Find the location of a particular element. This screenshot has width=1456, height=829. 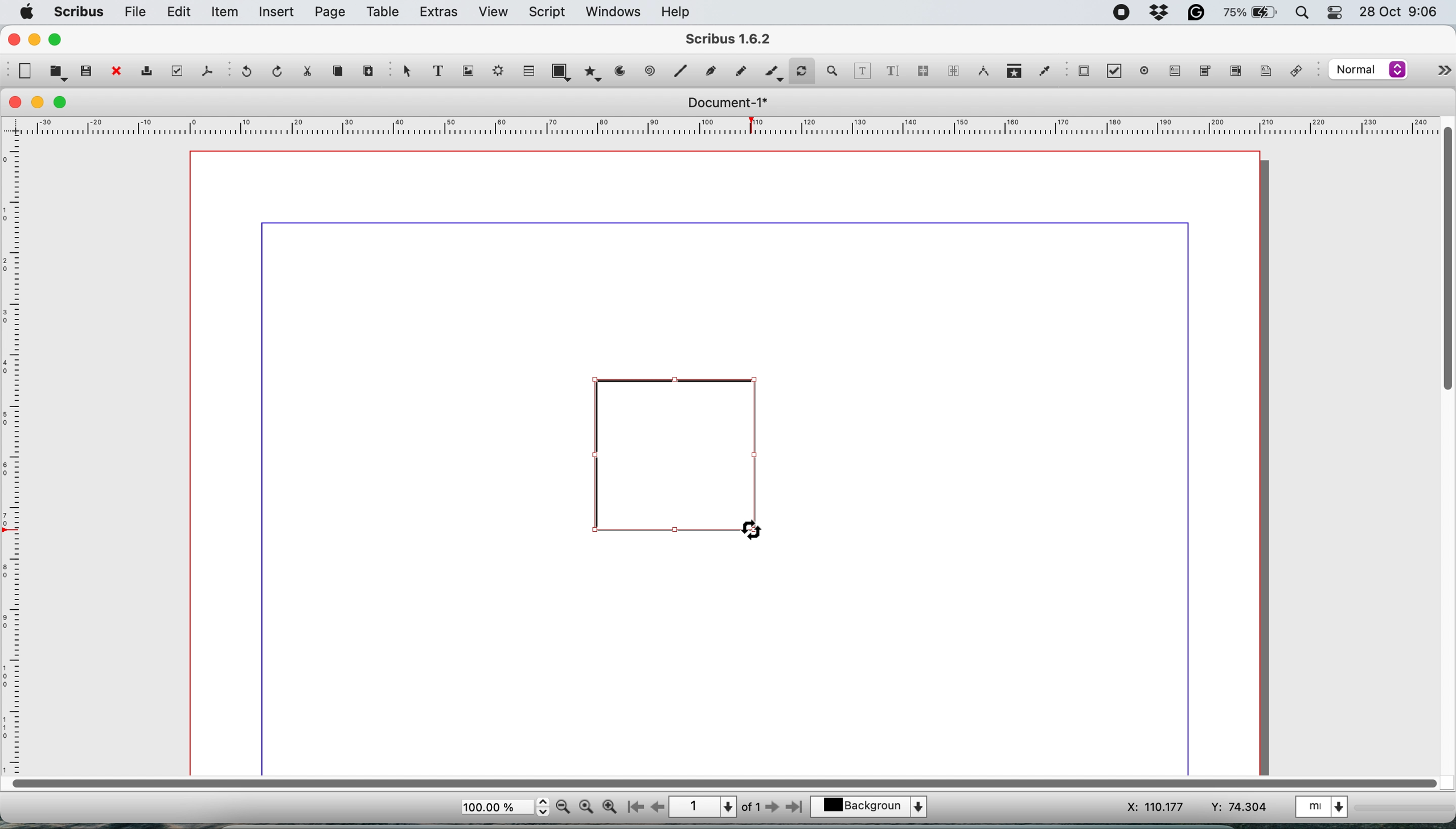

bezier curve is located at coordinates (712, 69).